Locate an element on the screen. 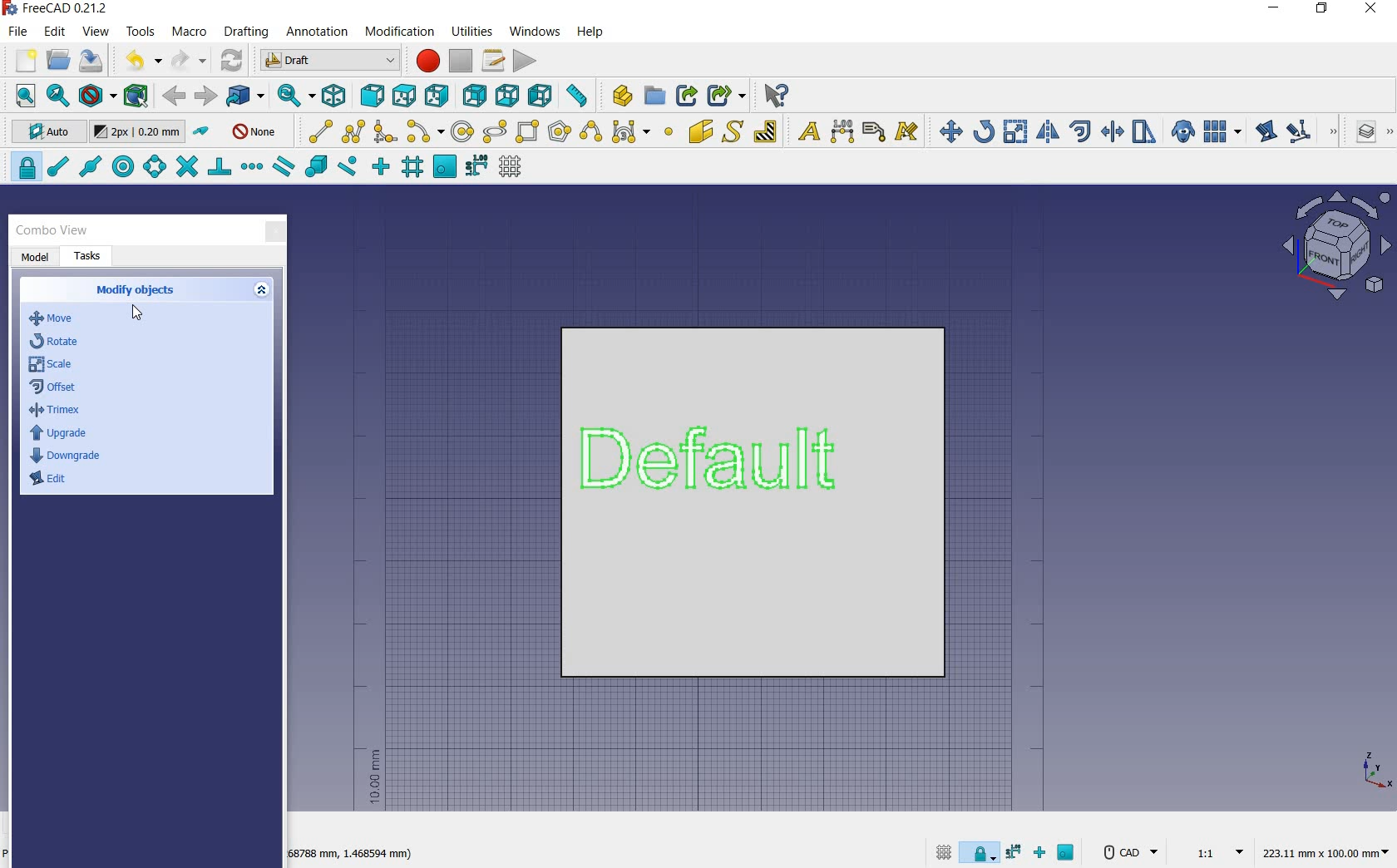 Image resolution: width=1397 pixels, height=868 pixels. rotate is located at coordinates (57, 340).